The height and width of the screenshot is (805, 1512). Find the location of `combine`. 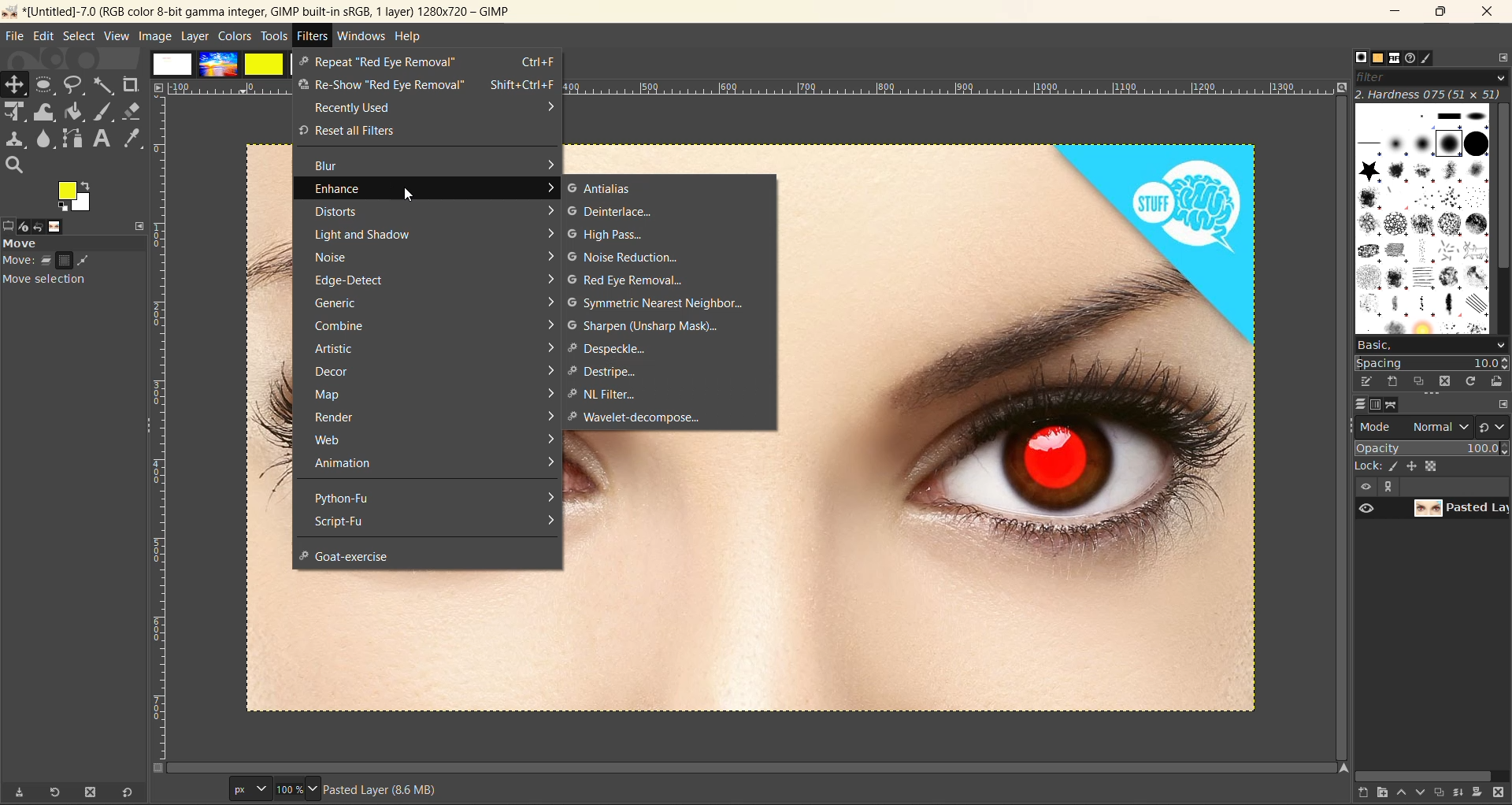

combine is located at coordinates (432, 326).